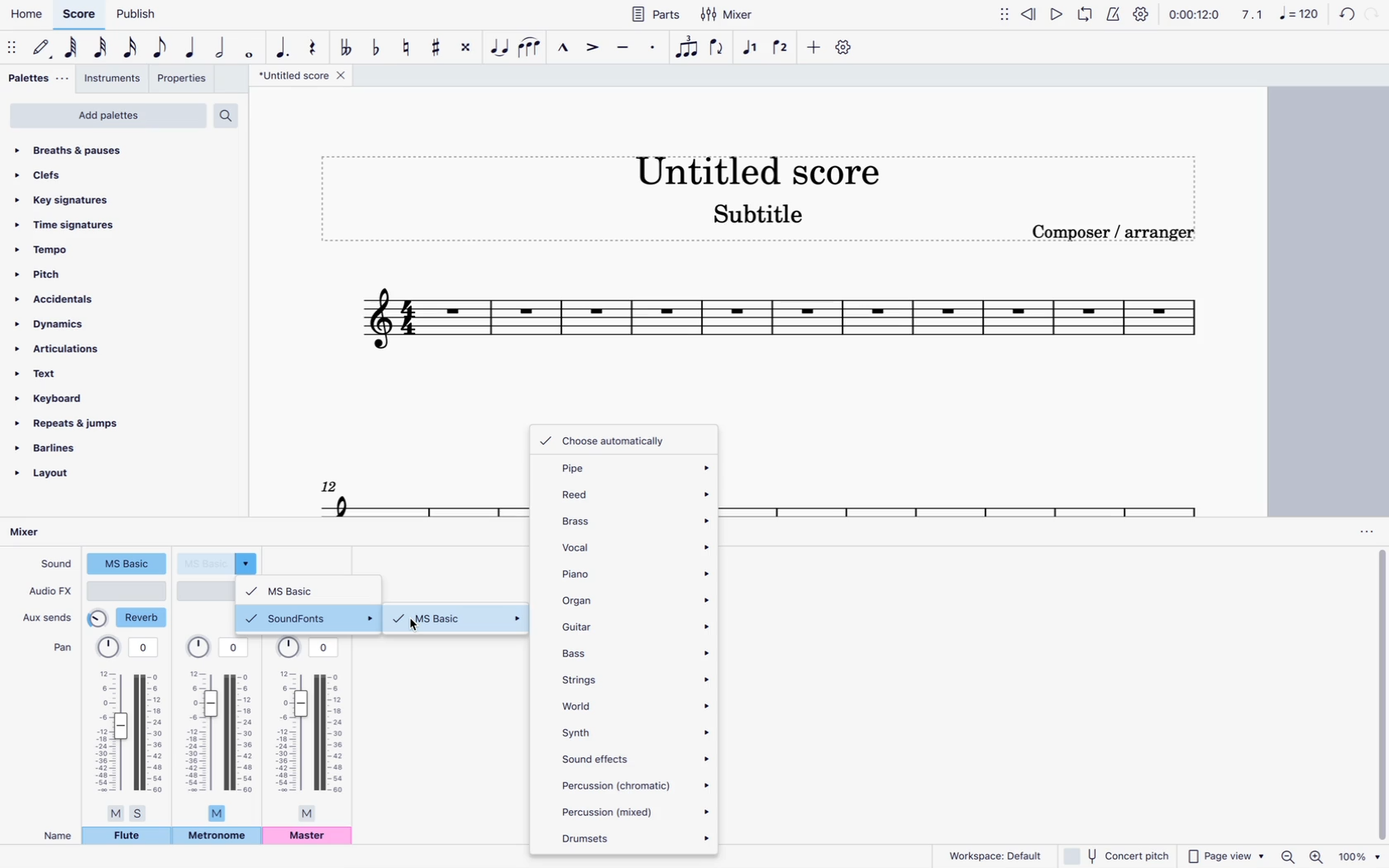 The height and width of the screenshot is (868, 1389). I want to click on mixer, so click(728, 15).